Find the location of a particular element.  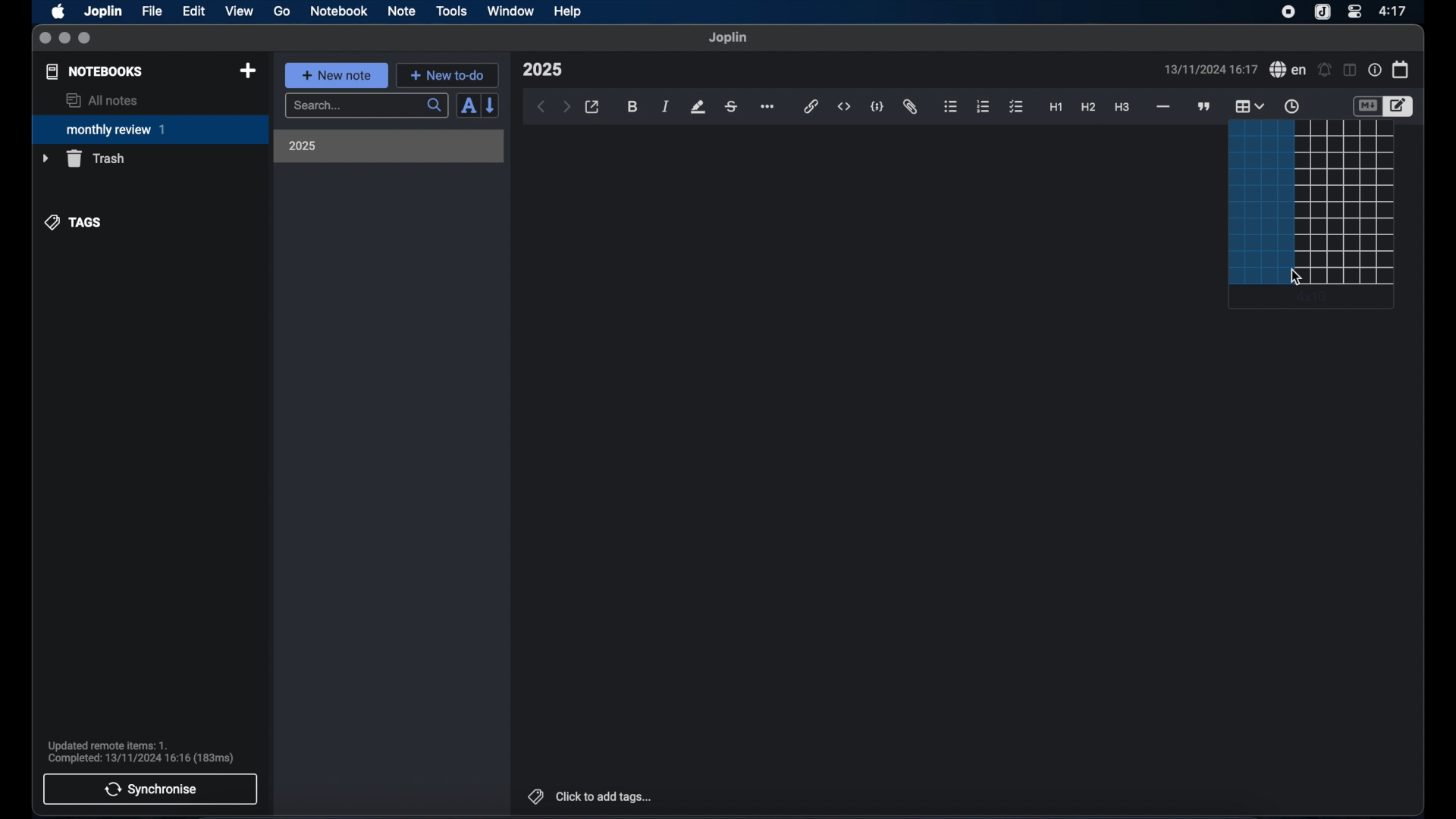

trash is located at coordinates (83, 158).